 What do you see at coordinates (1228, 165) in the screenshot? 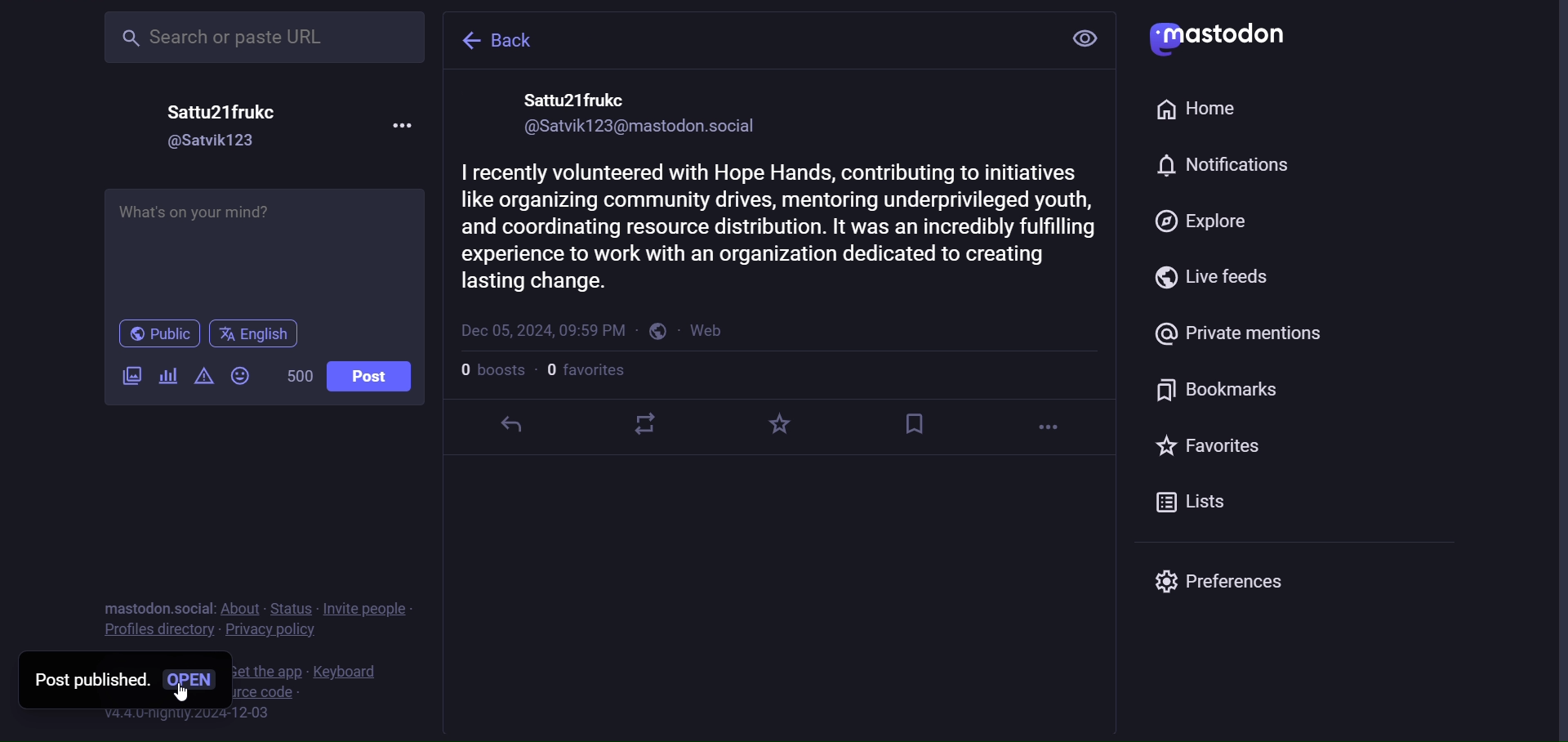
I see `notification` at bounding box center [1228, 165].